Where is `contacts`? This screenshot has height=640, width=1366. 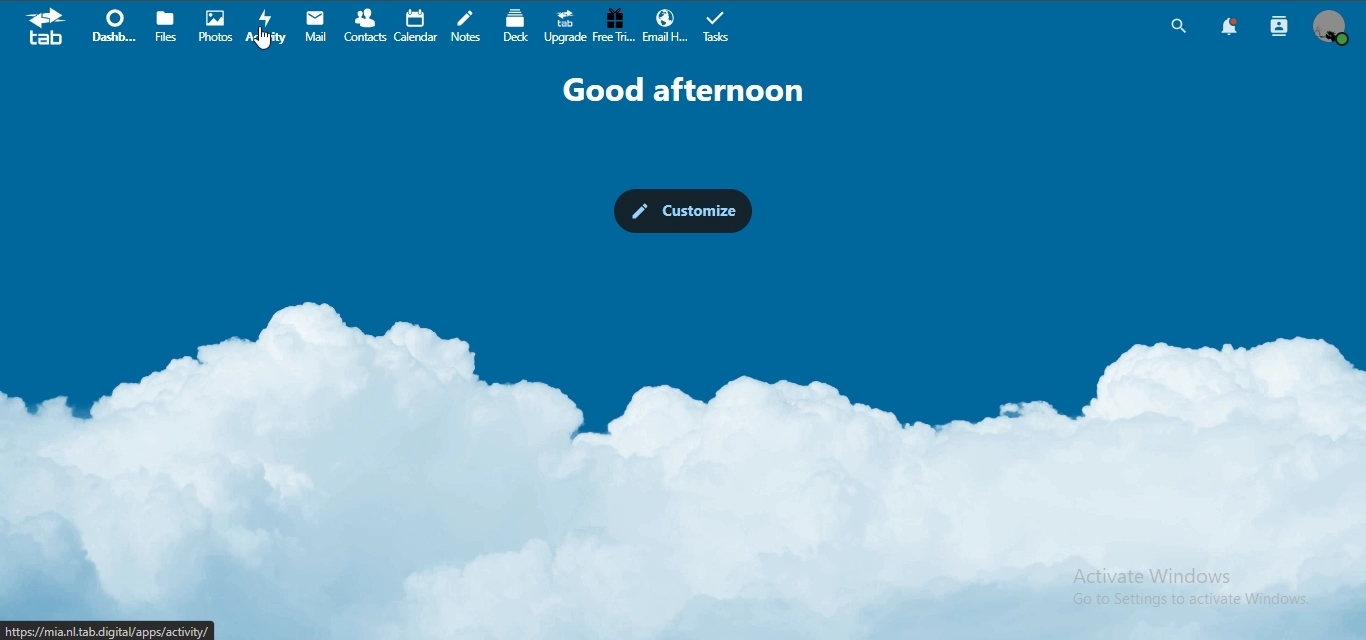 contacts is located at coordinates (366, 23).